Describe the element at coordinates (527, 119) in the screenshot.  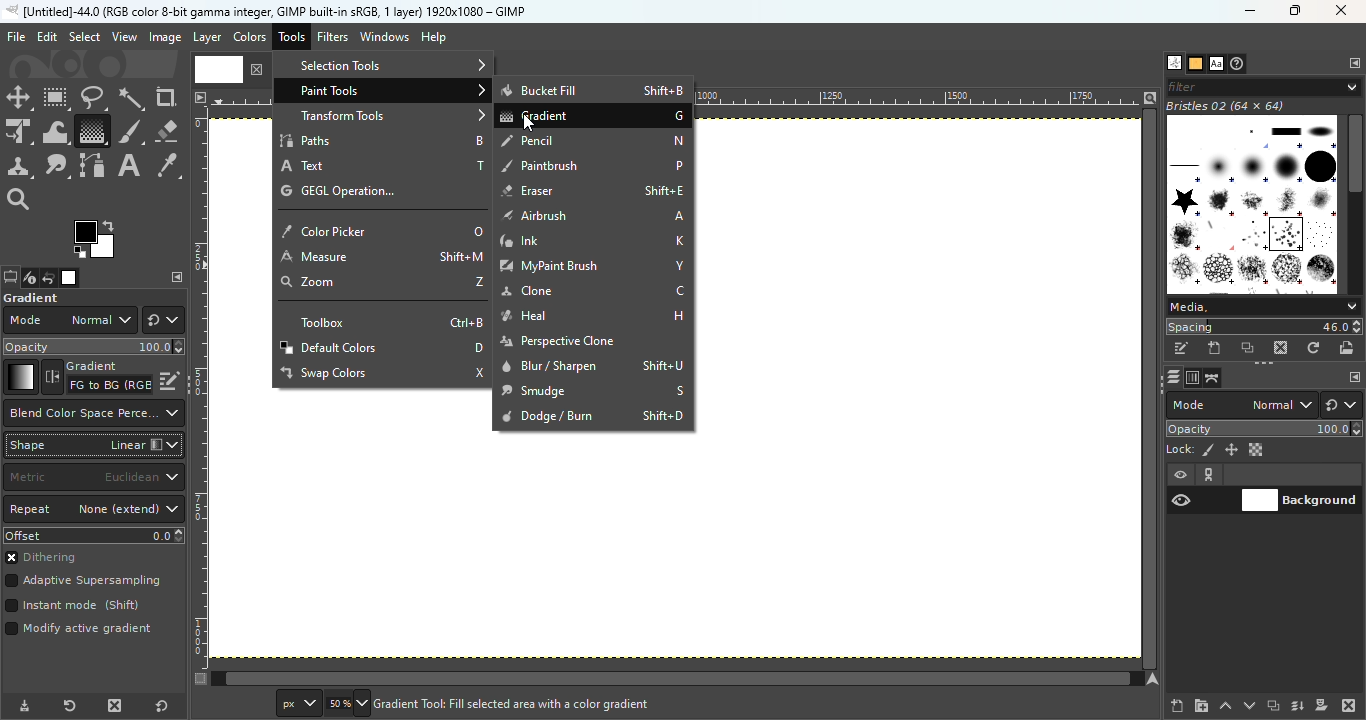
I see `Cursor` at that location.